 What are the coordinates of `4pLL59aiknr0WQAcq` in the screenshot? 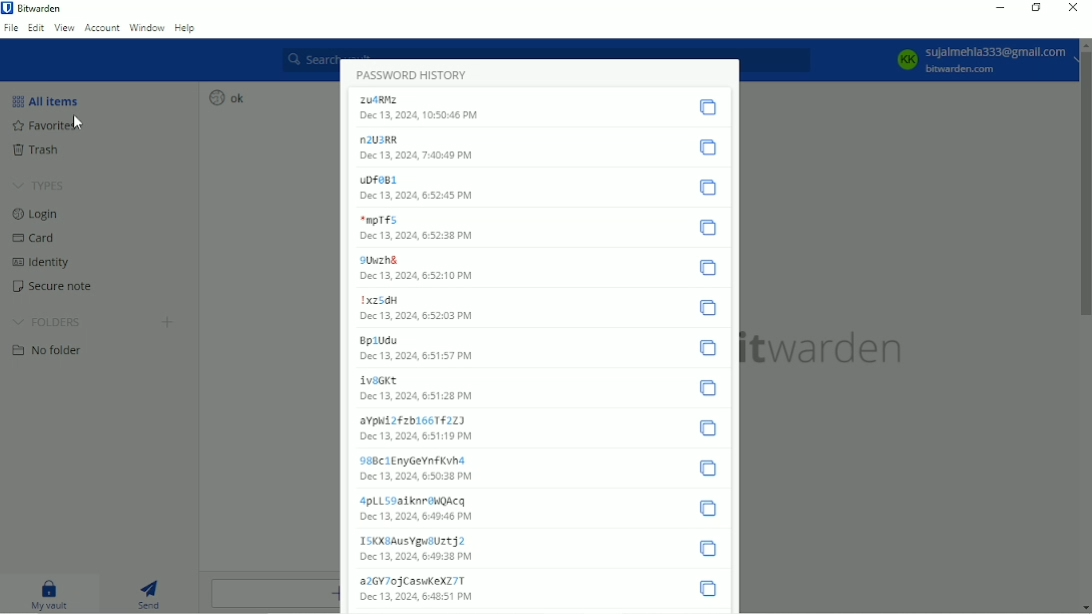 It's located at (415, 500).